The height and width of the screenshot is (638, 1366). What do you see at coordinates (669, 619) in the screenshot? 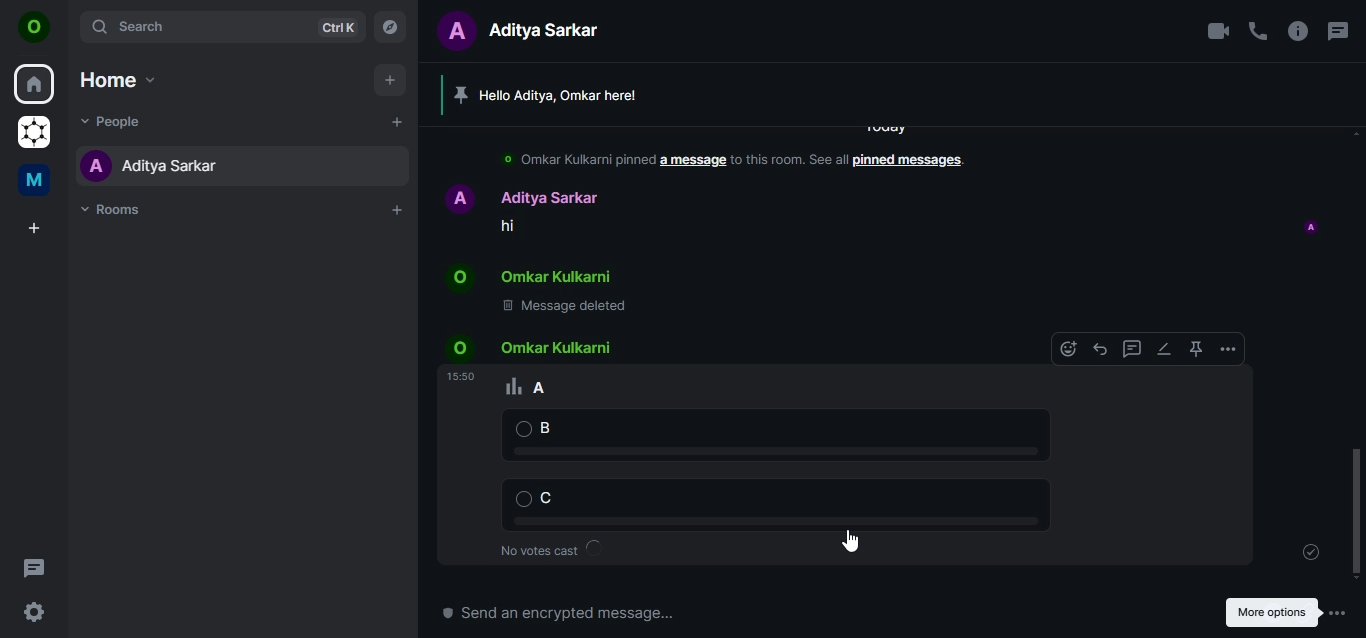
I see `send an encrypted message` at bounding box center [669, 619].